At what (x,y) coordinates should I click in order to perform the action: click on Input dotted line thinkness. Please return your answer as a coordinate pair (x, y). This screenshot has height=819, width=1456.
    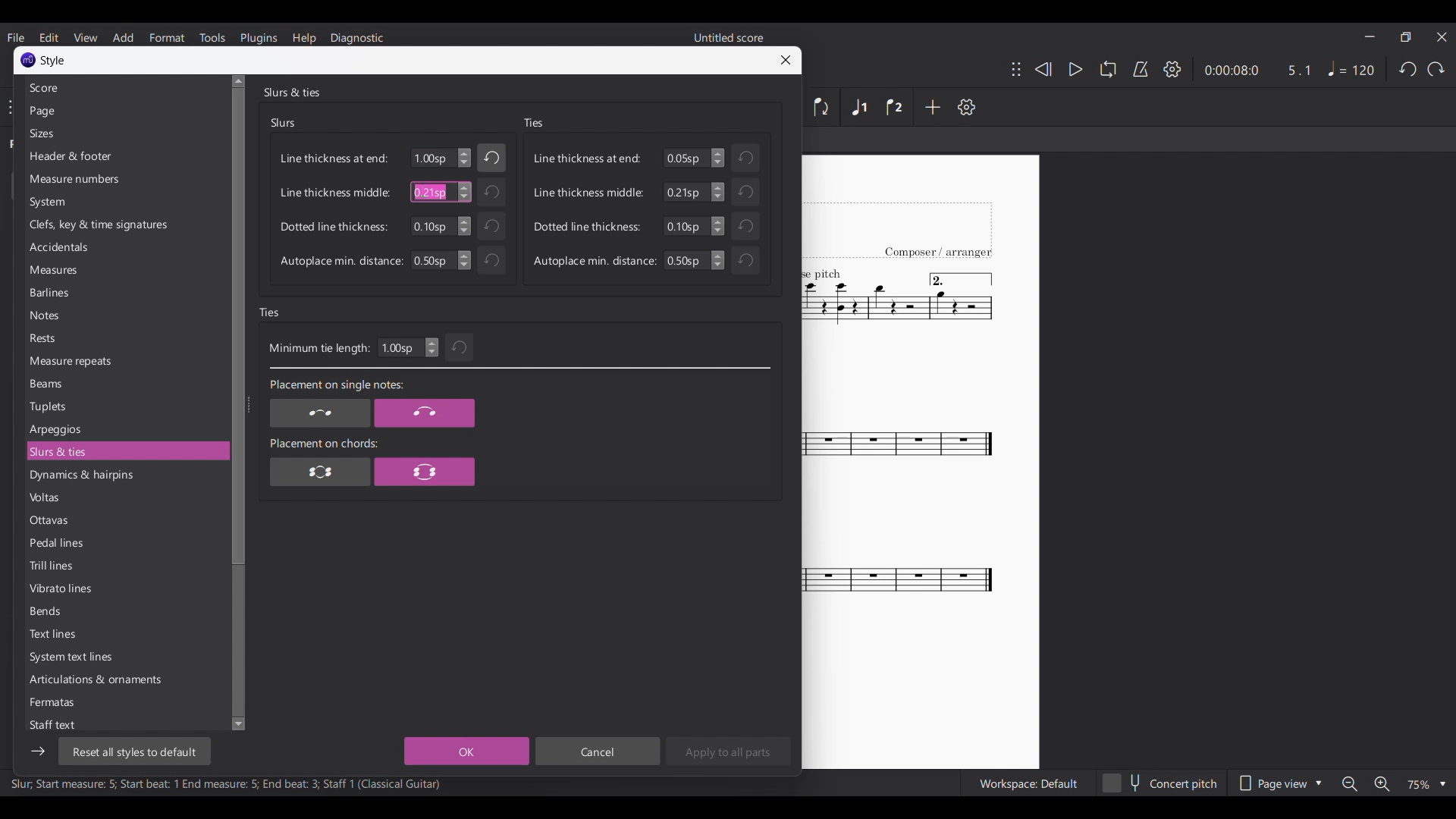
    Looking at the image, I should click on (686, 226).